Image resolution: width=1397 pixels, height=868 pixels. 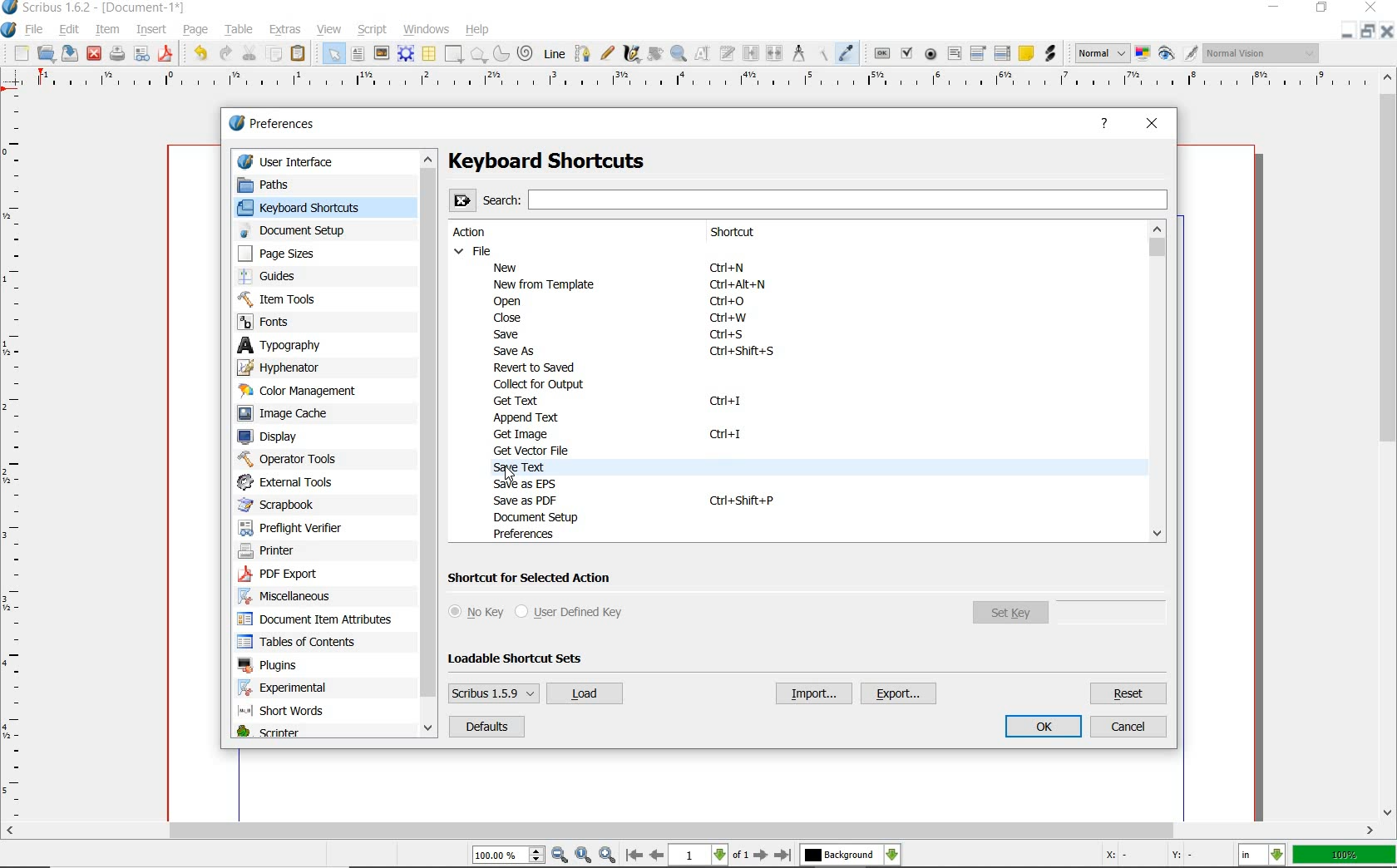 What do you see at coordinates (1156, 858) in the screenshot?
I see `coordinates` at bounding box center [1156, 858].